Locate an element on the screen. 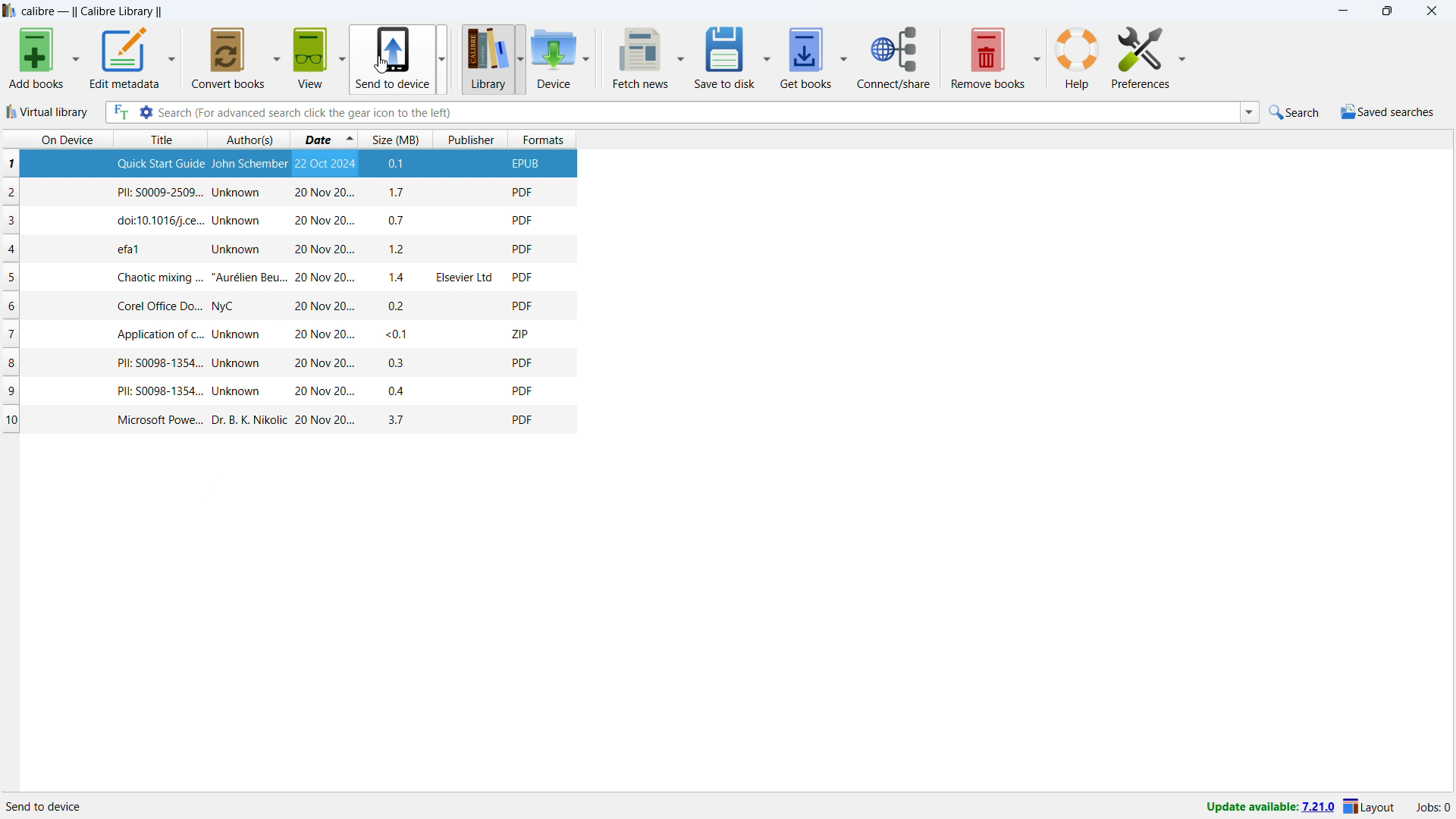 The height and width of the screenshot is (819, 1456). save to disk options is located at coordinates (766, 56).